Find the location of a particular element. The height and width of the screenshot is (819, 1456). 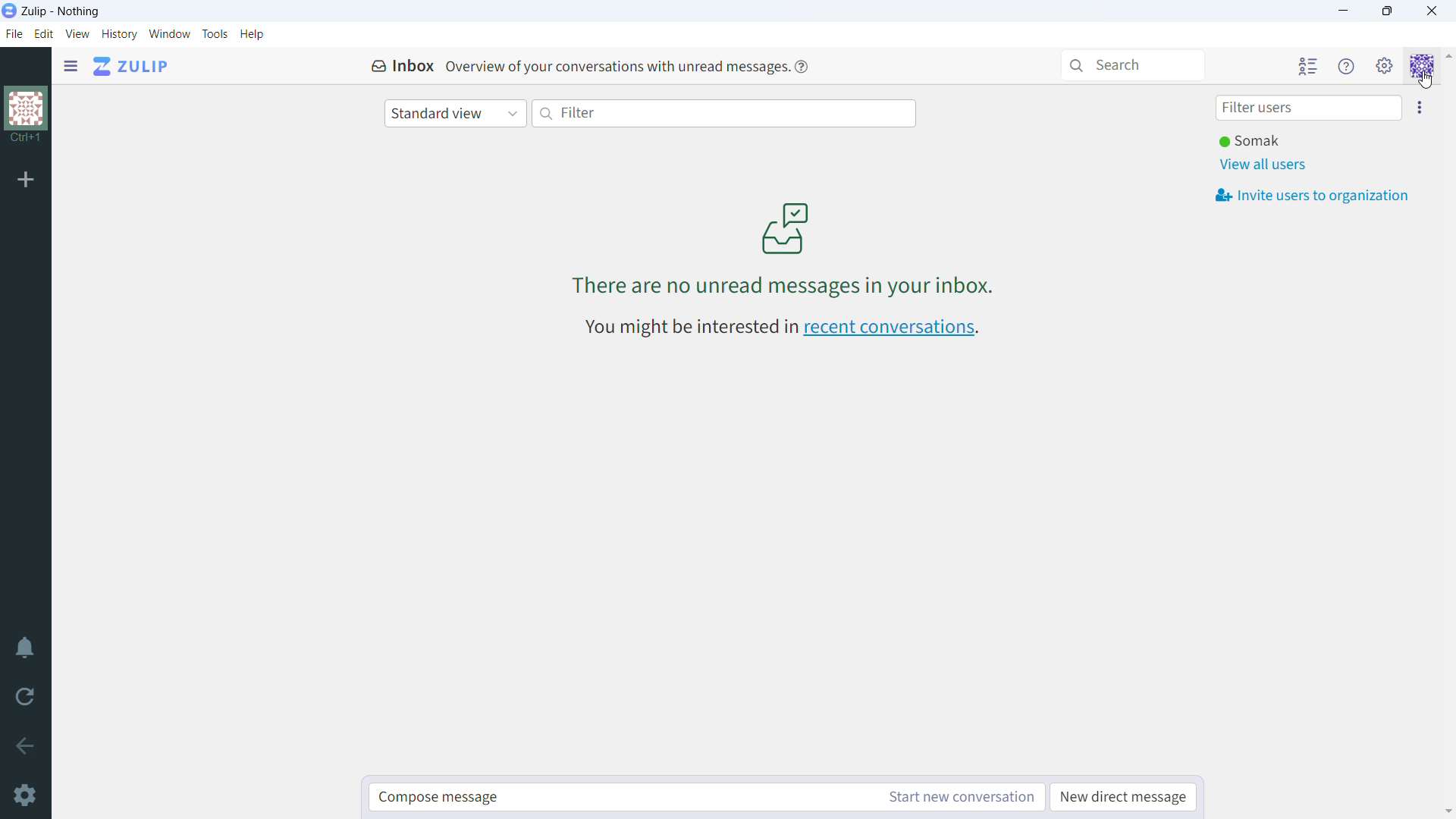

active status is located at coordinates (1251, 141).